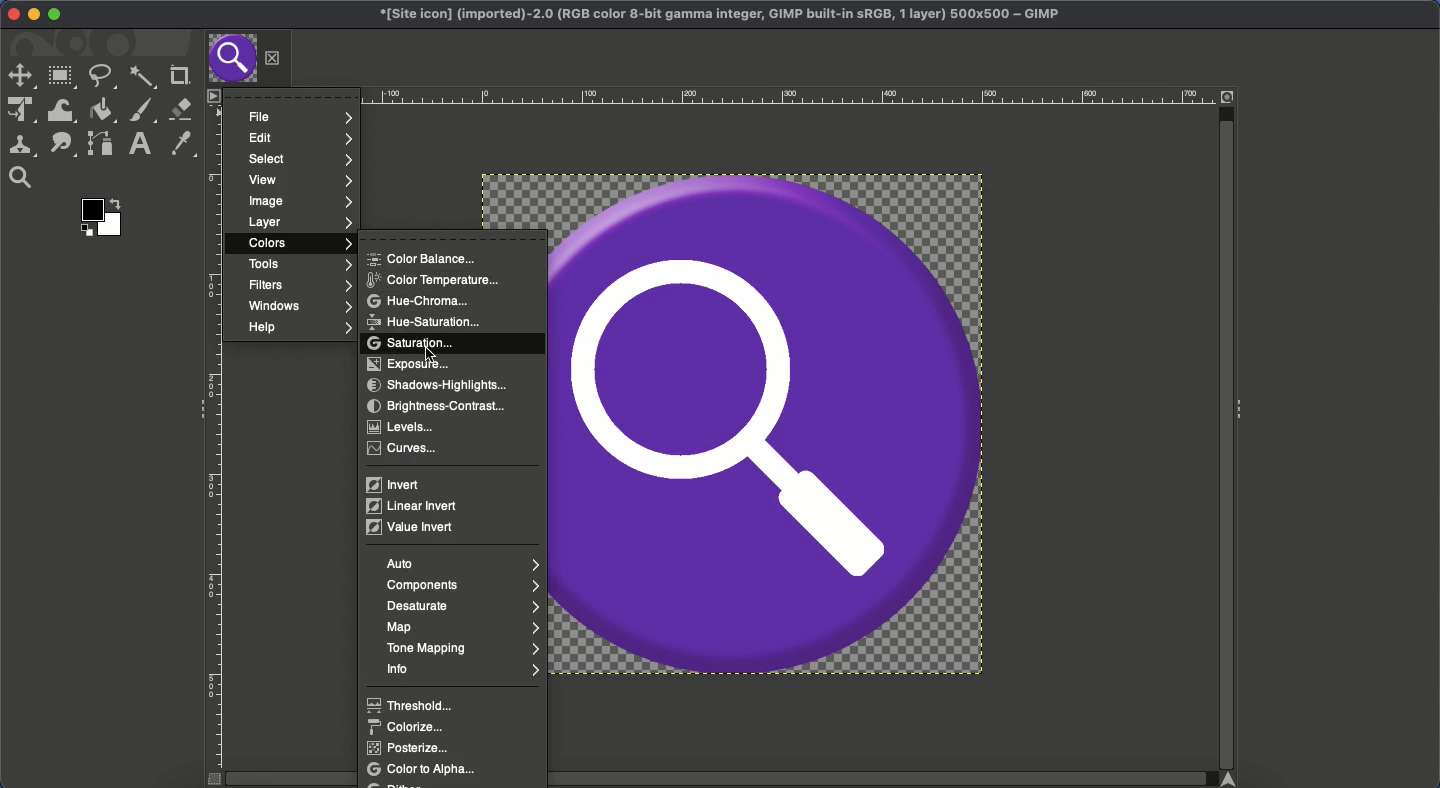  I want to click on Move tool, so click(20, 74).